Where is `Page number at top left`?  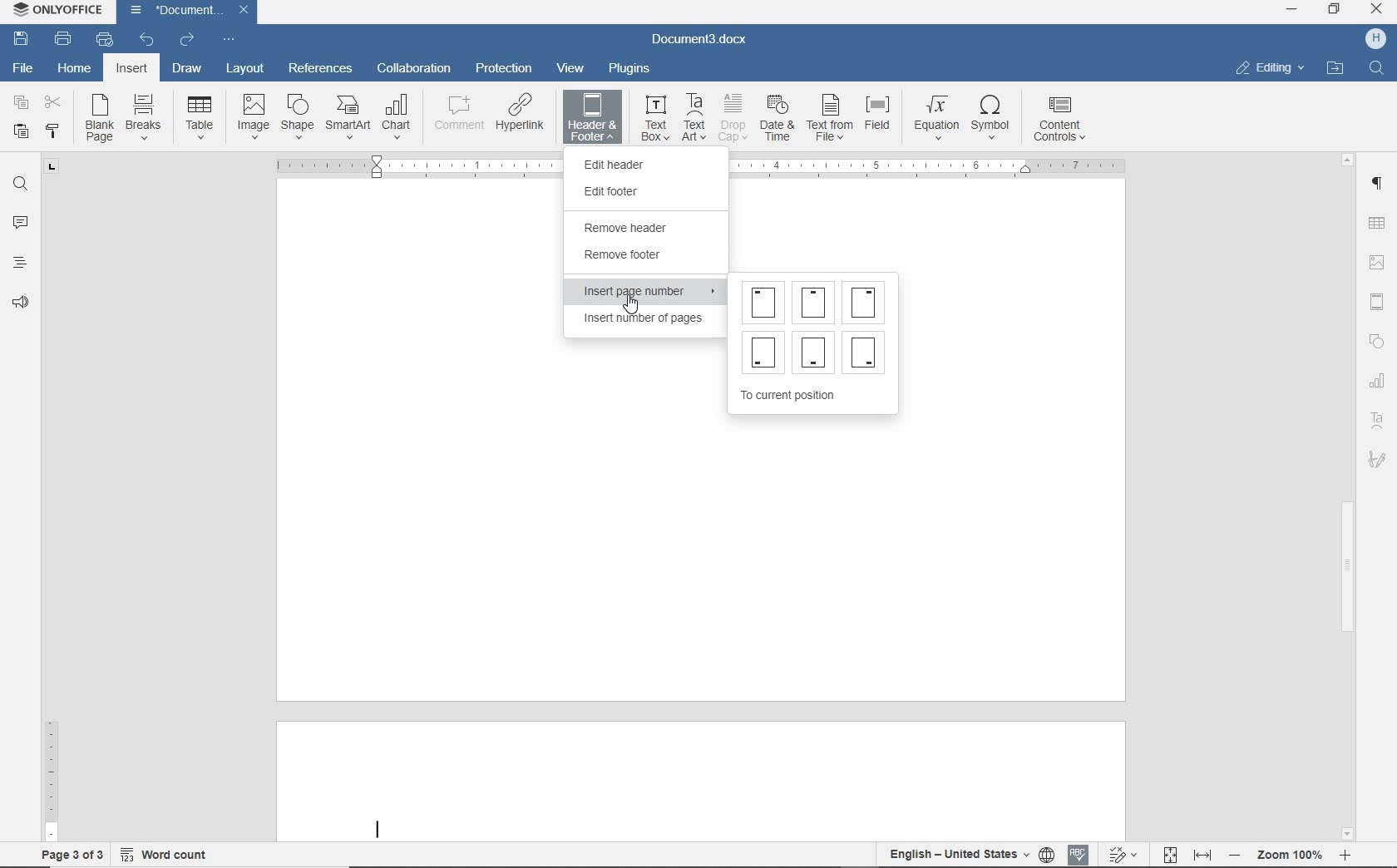
Page number at top left is located at coordinates (763, 302).